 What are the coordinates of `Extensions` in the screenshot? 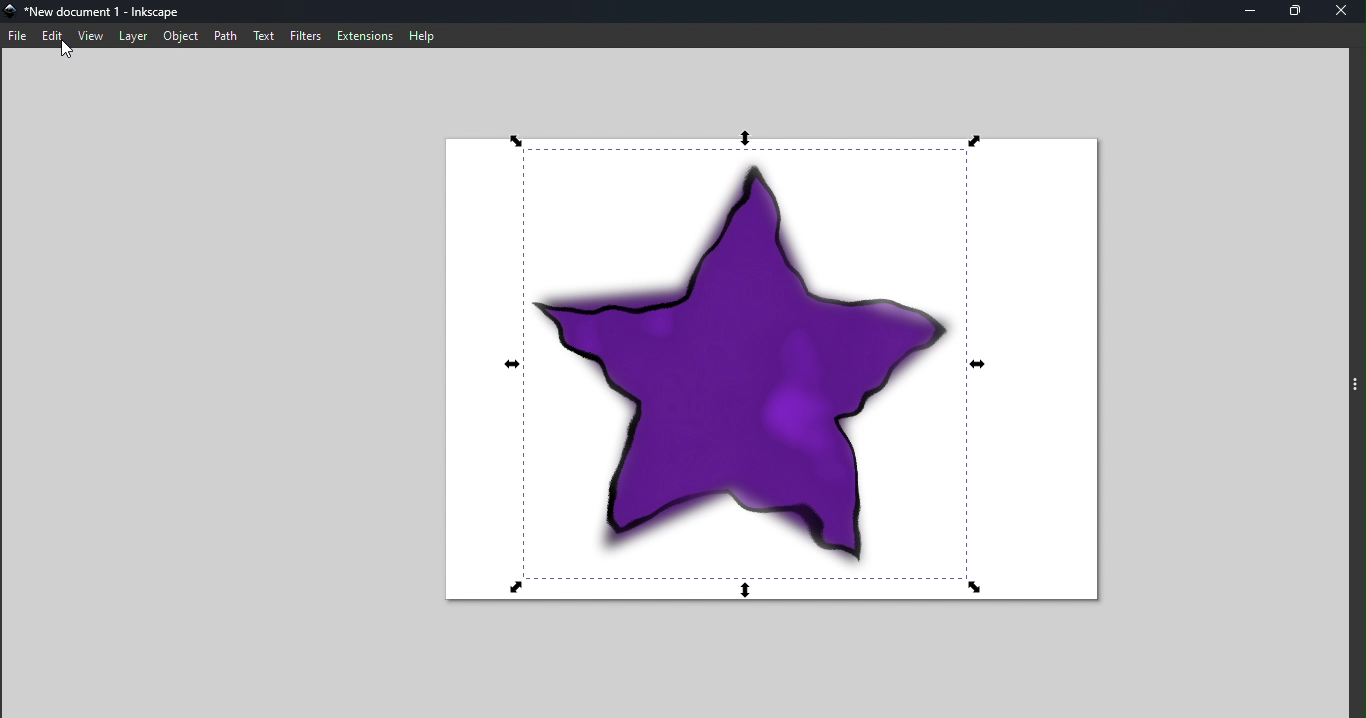 It's located at (364, 36).